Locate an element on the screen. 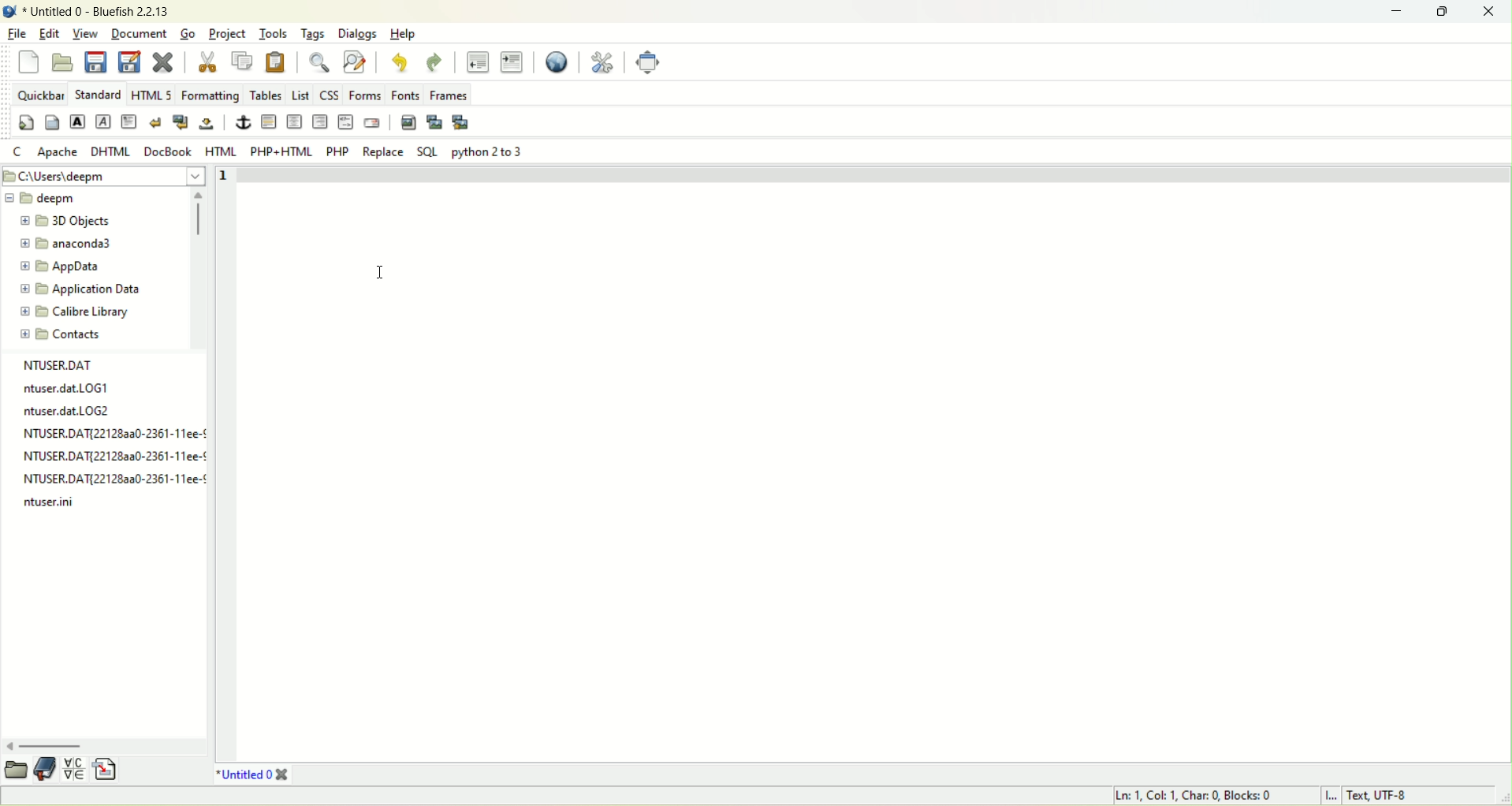 The height and width of the screenshot is (806, 1512). editor is located at coordinates (873, 461).